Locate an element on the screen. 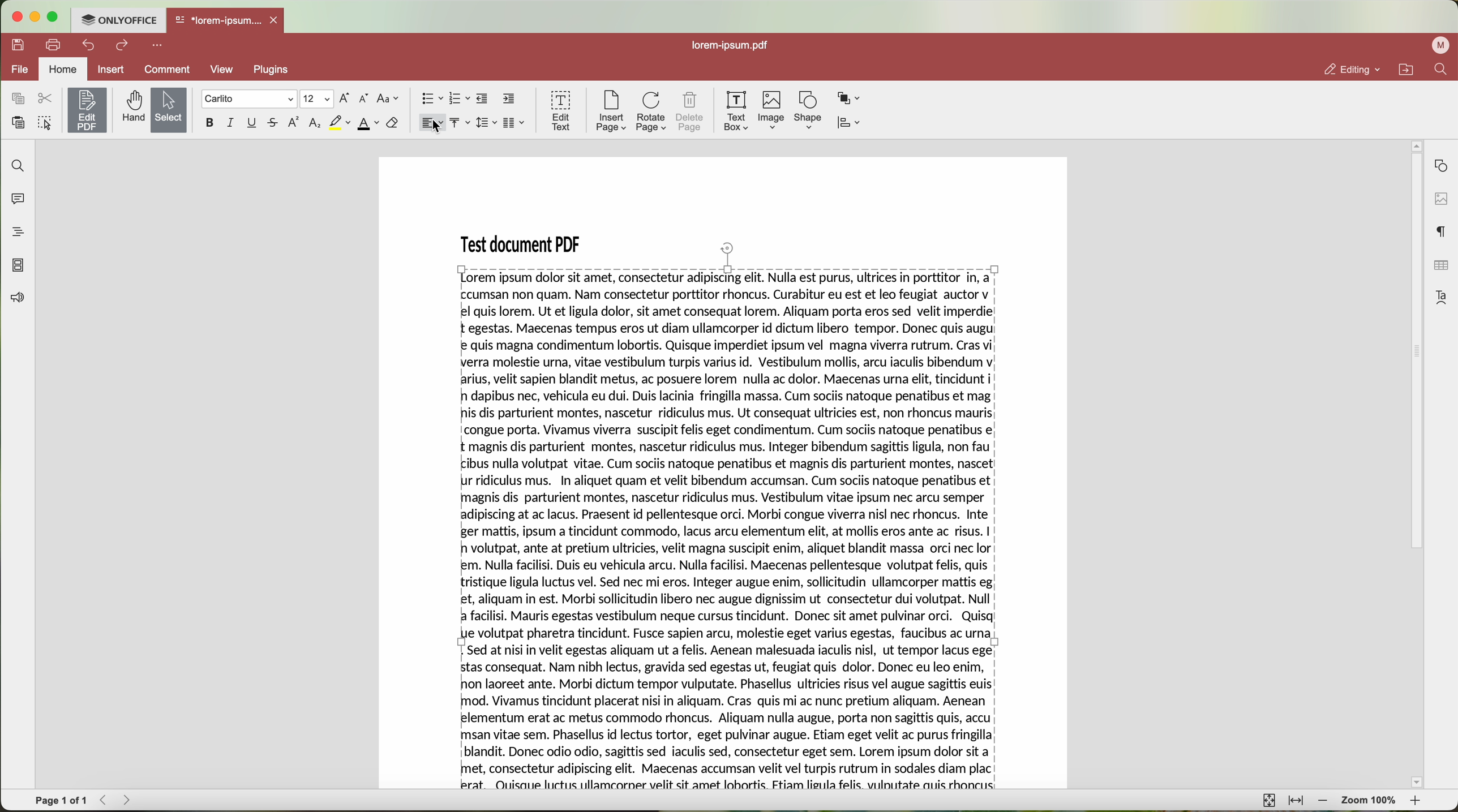  zoom in is located at coordinates (1418, 802).